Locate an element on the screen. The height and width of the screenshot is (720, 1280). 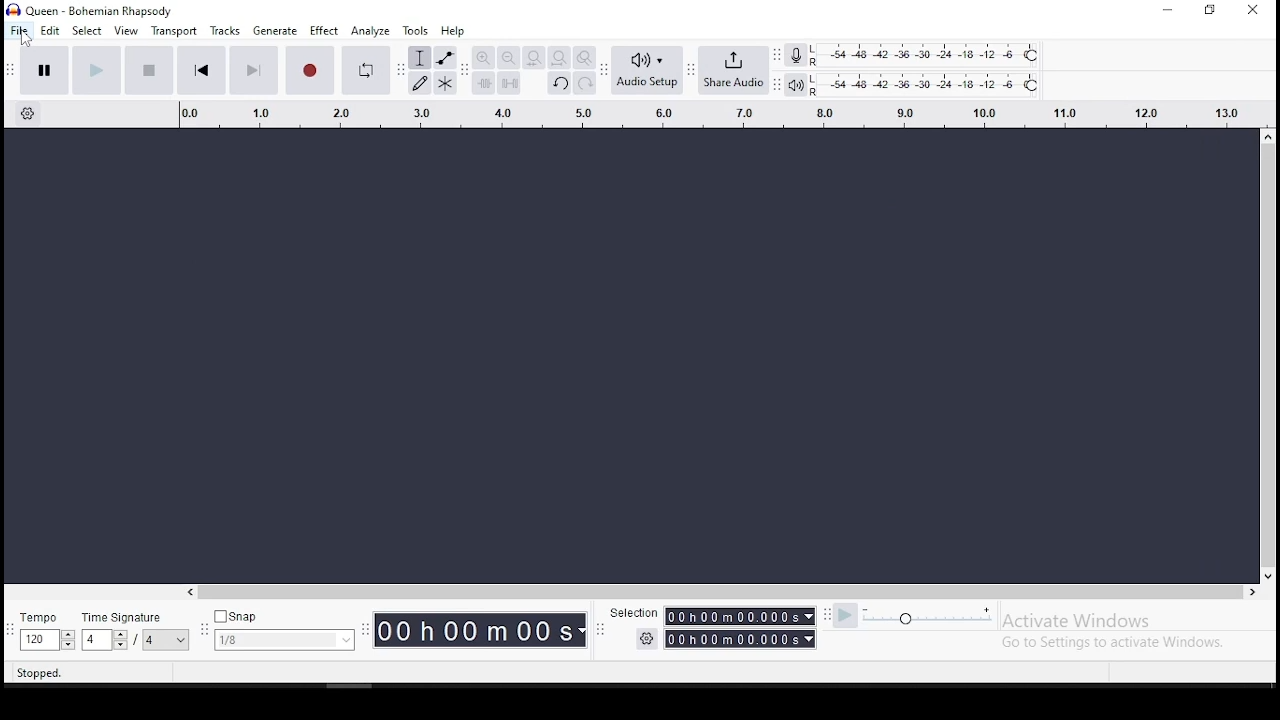
timeline options is located at coordinates (29, 115).